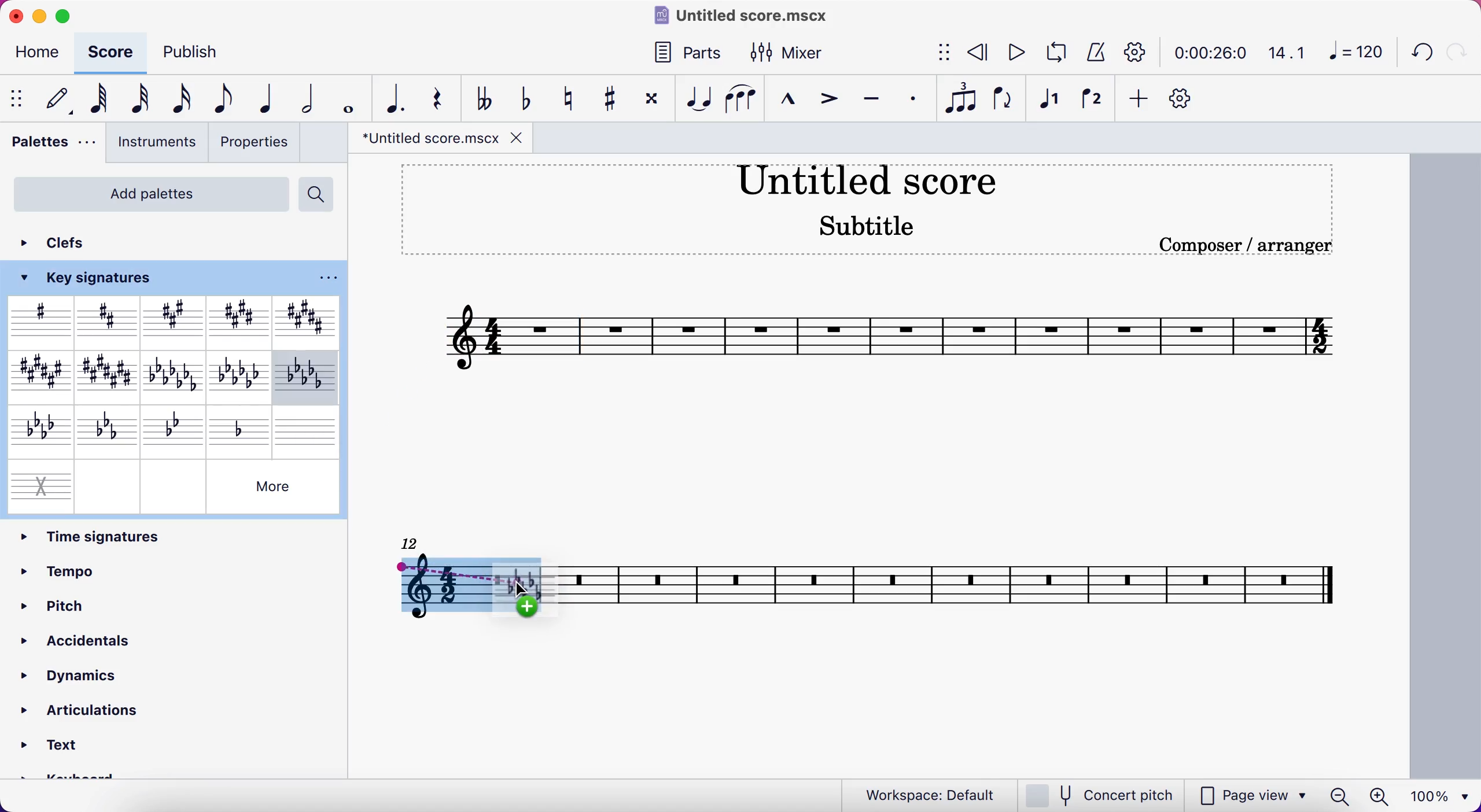 This screenshot has width=1481, height=812. Describe the element at coordinates (256, 144) in the screenshot. I see `properties` at that location.